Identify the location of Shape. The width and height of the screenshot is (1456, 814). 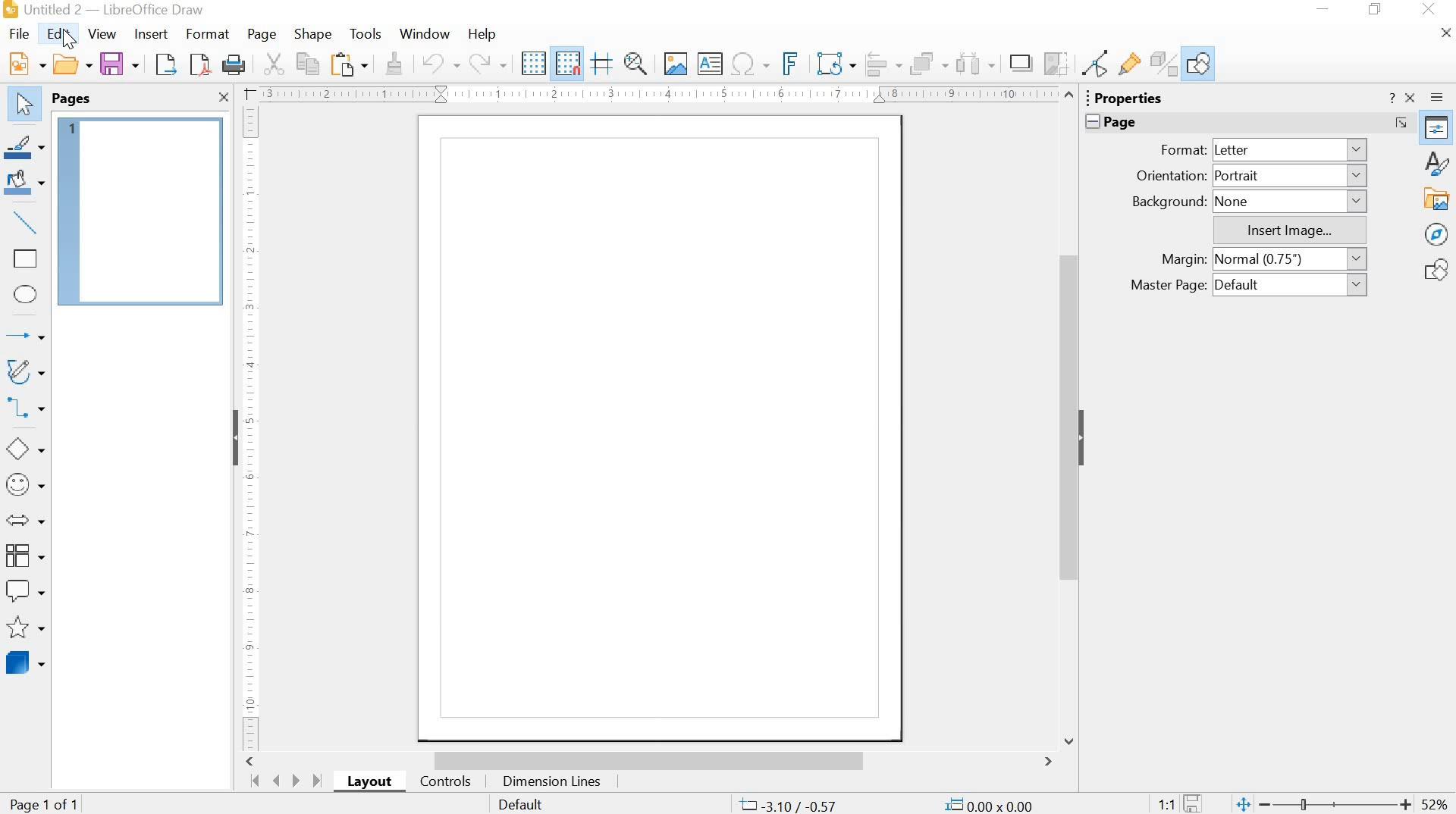
(314, 34).